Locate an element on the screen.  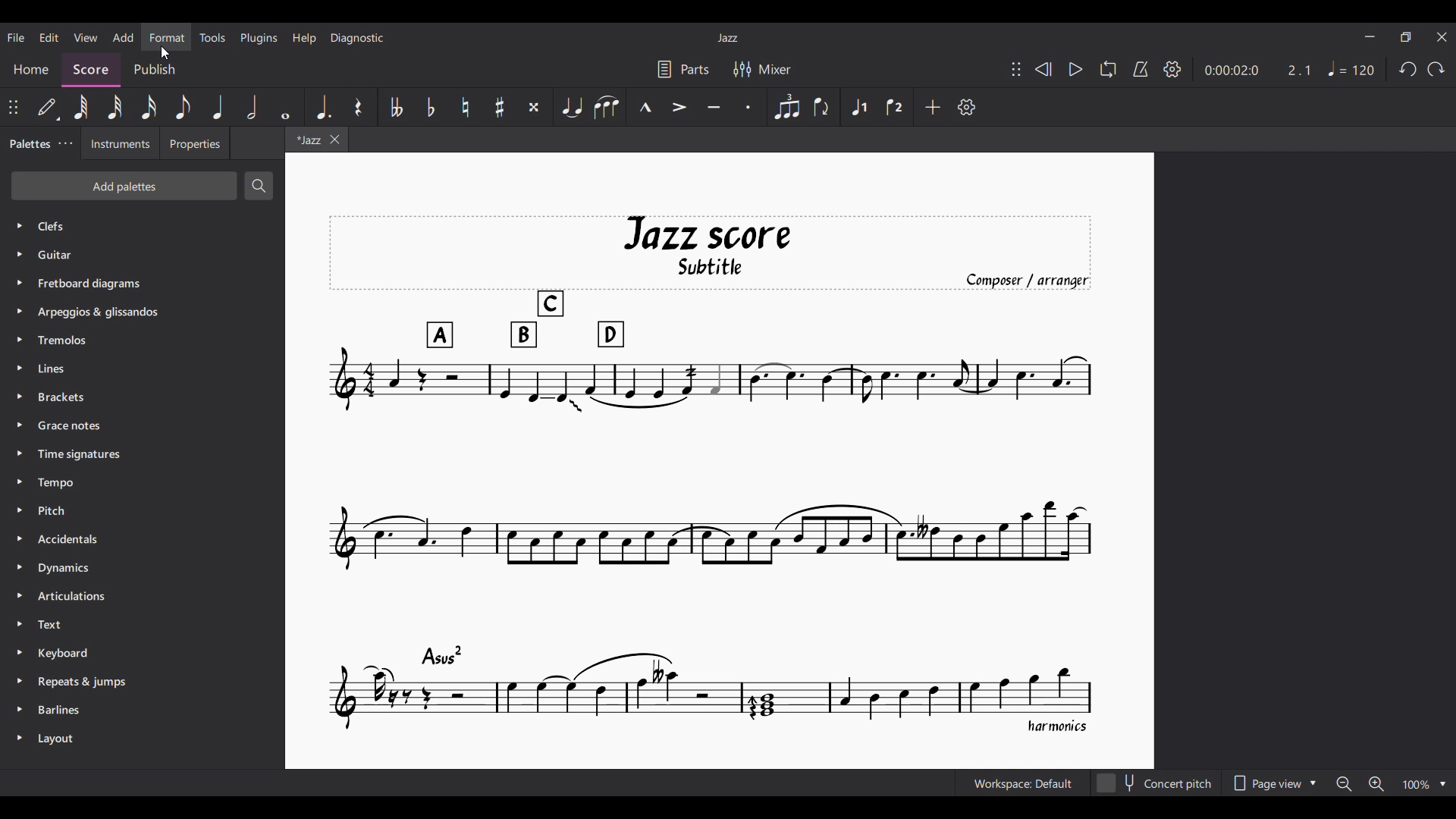
Current tab is located at coordinates (305, 139).